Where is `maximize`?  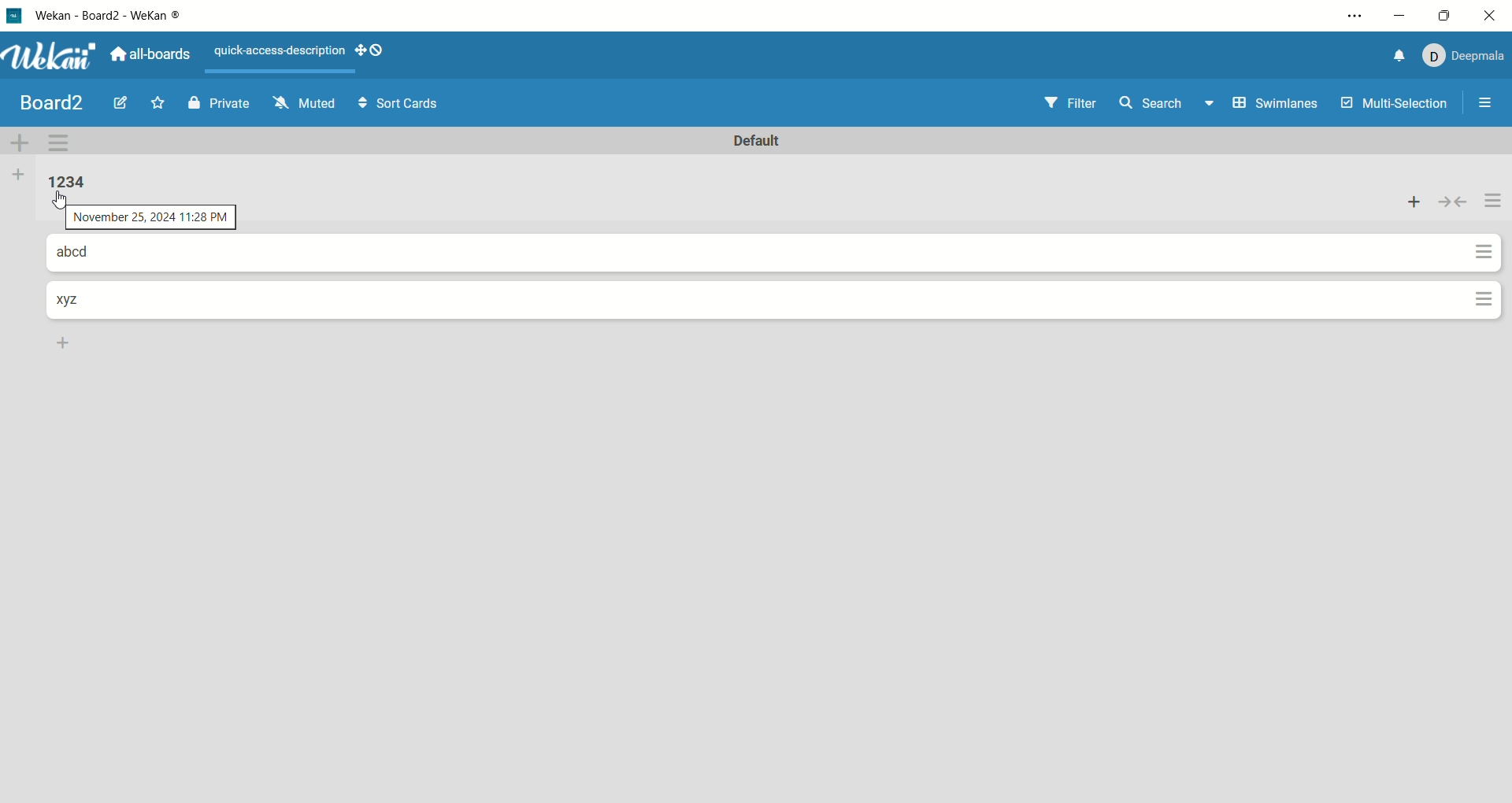
maximize is located at coordinates (1440, 16).